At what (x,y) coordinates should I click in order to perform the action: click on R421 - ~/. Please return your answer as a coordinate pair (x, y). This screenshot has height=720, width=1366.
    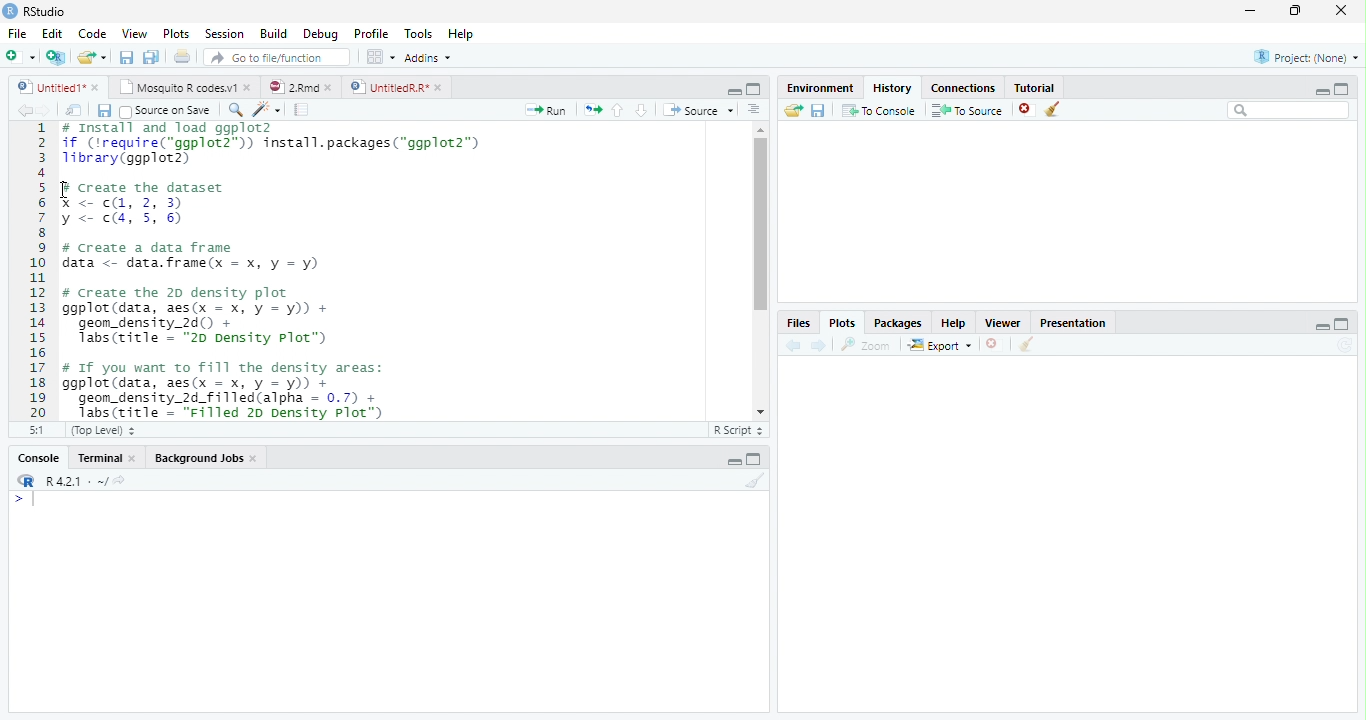
    Looking at the image, I should click on (70, 481).